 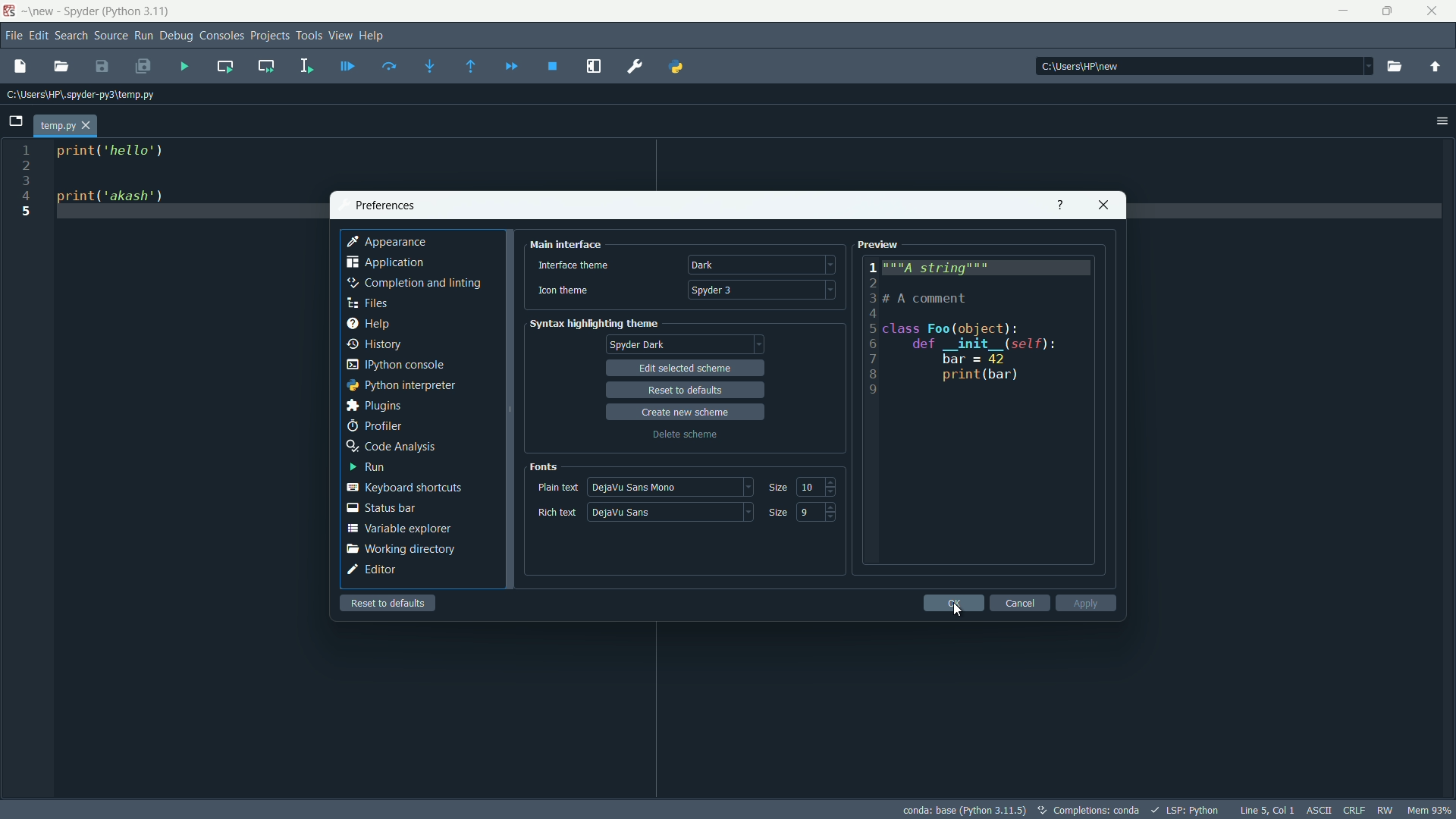 I want to click on Spyder, so click(x=78, y=11).